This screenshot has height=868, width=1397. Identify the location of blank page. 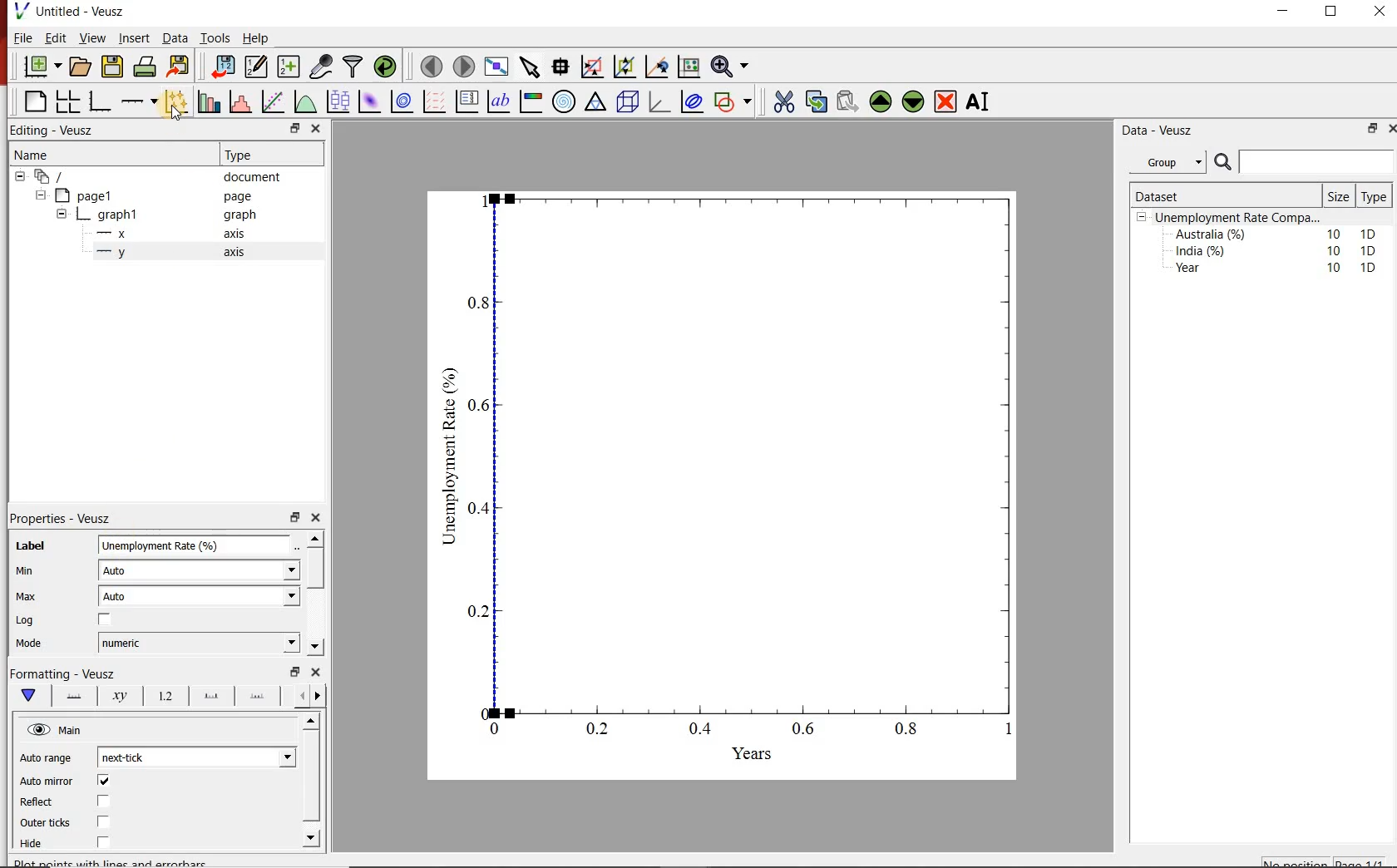
(34, 100).